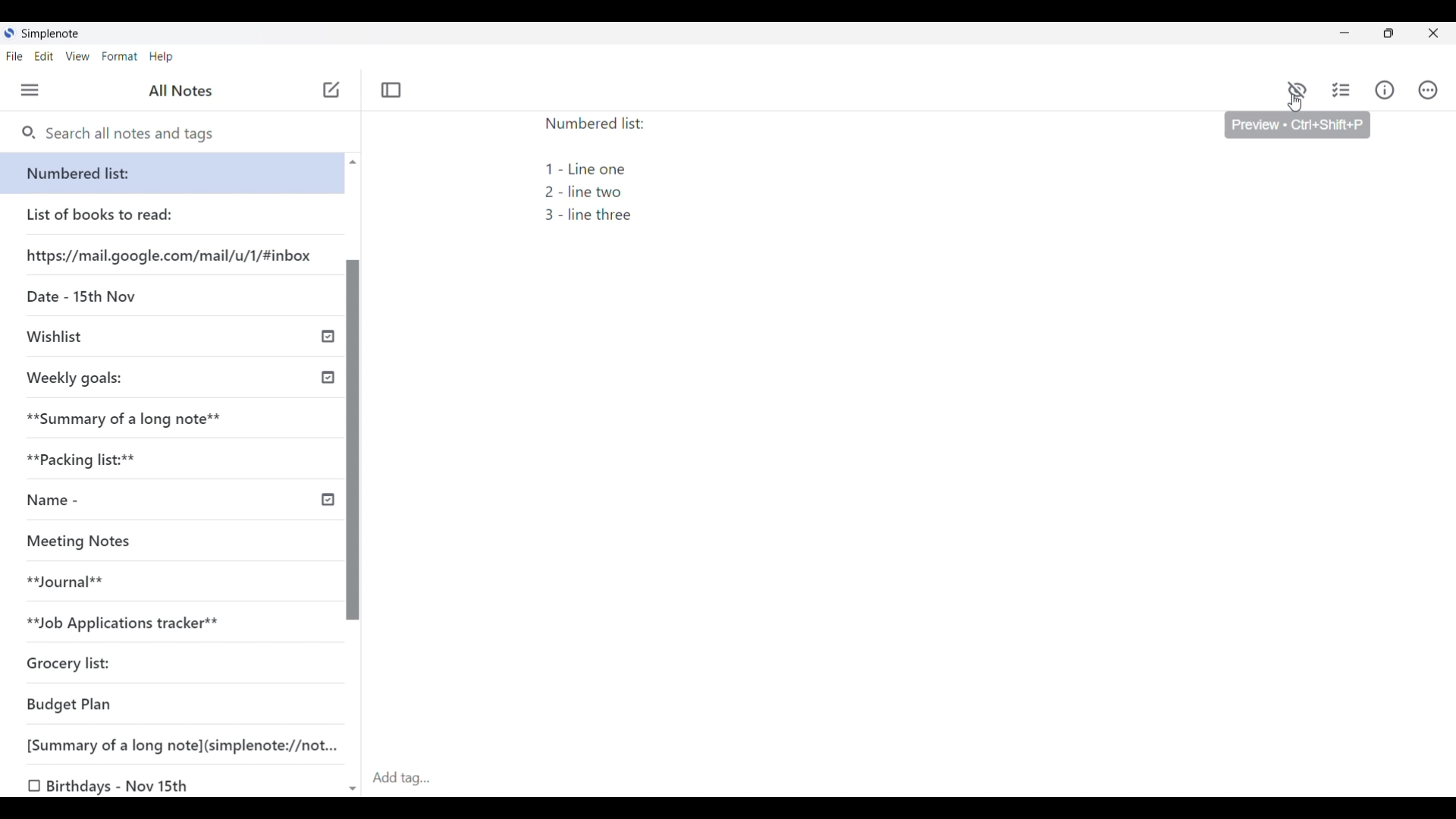  Describe the element at coordinates (124, 419) in the screenshot. I see `Summary of a long note**` at that location.